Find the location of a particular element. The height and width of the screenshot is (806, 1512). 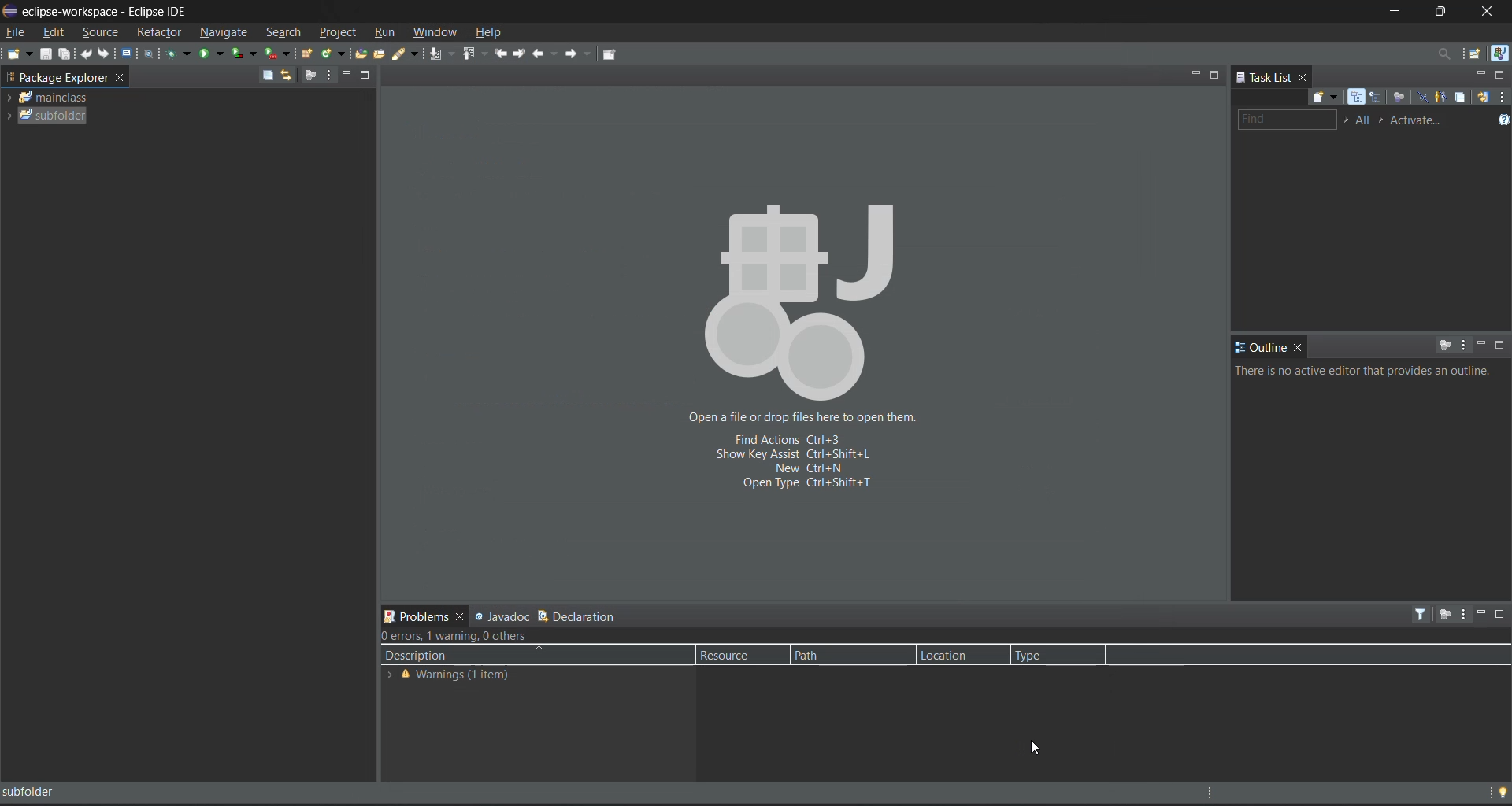

coverage is located at coordinates (243, 52).